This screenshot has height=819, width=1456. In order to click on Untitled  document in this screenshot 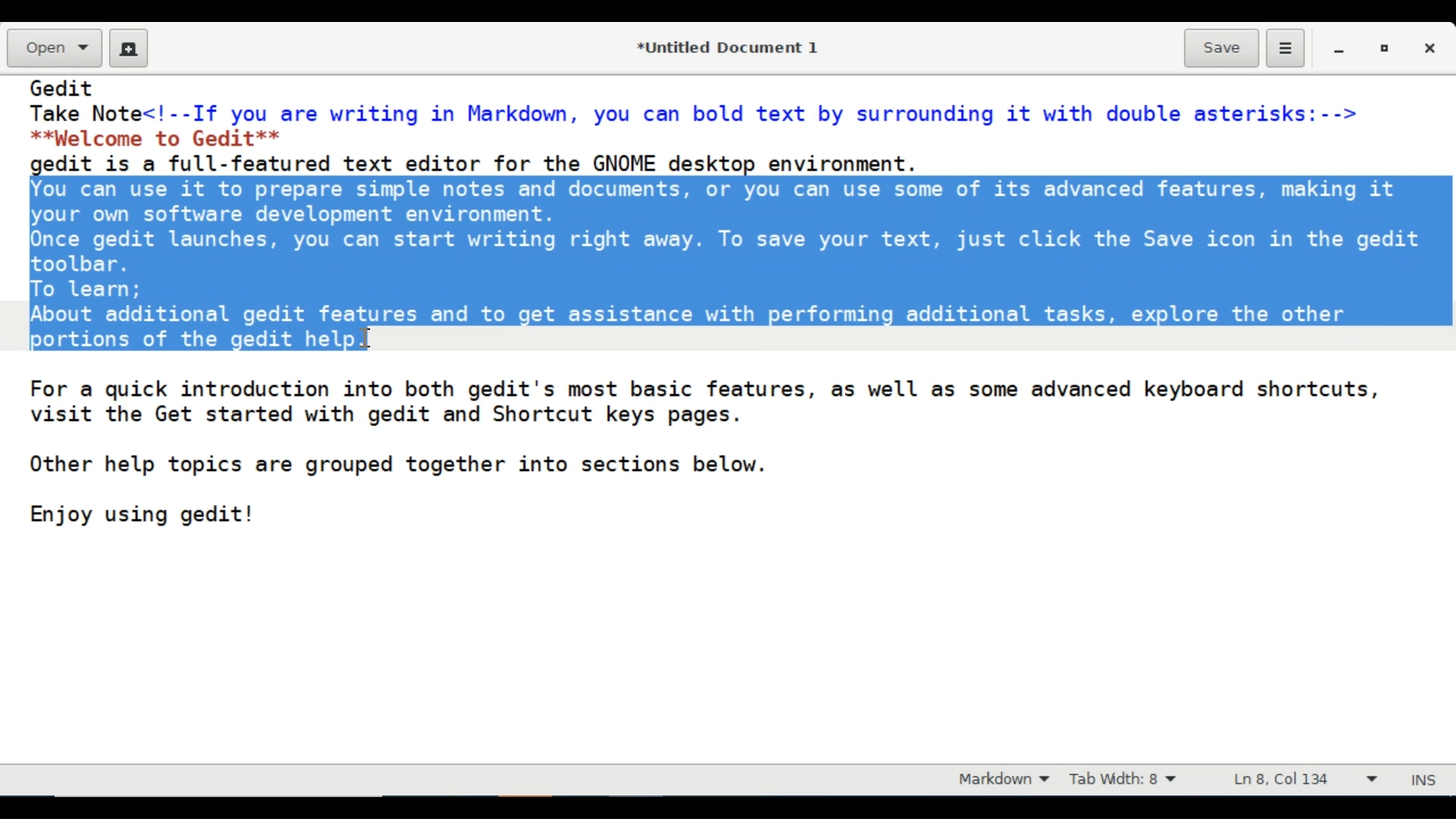, I will do `click(724, 46)`.